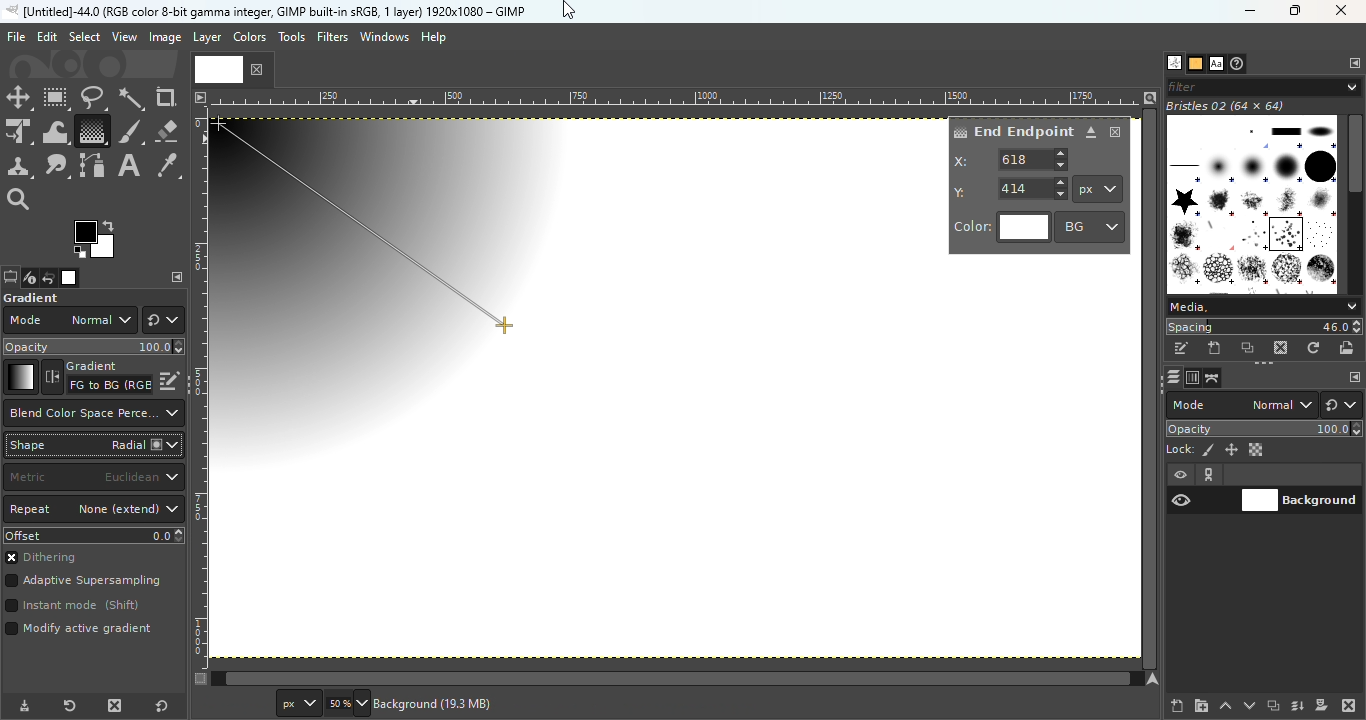  Describe the element at coordinates (1322, 705) in the screenshot. I see `Add a mask that allows non destructive editing of transperency` at that location.